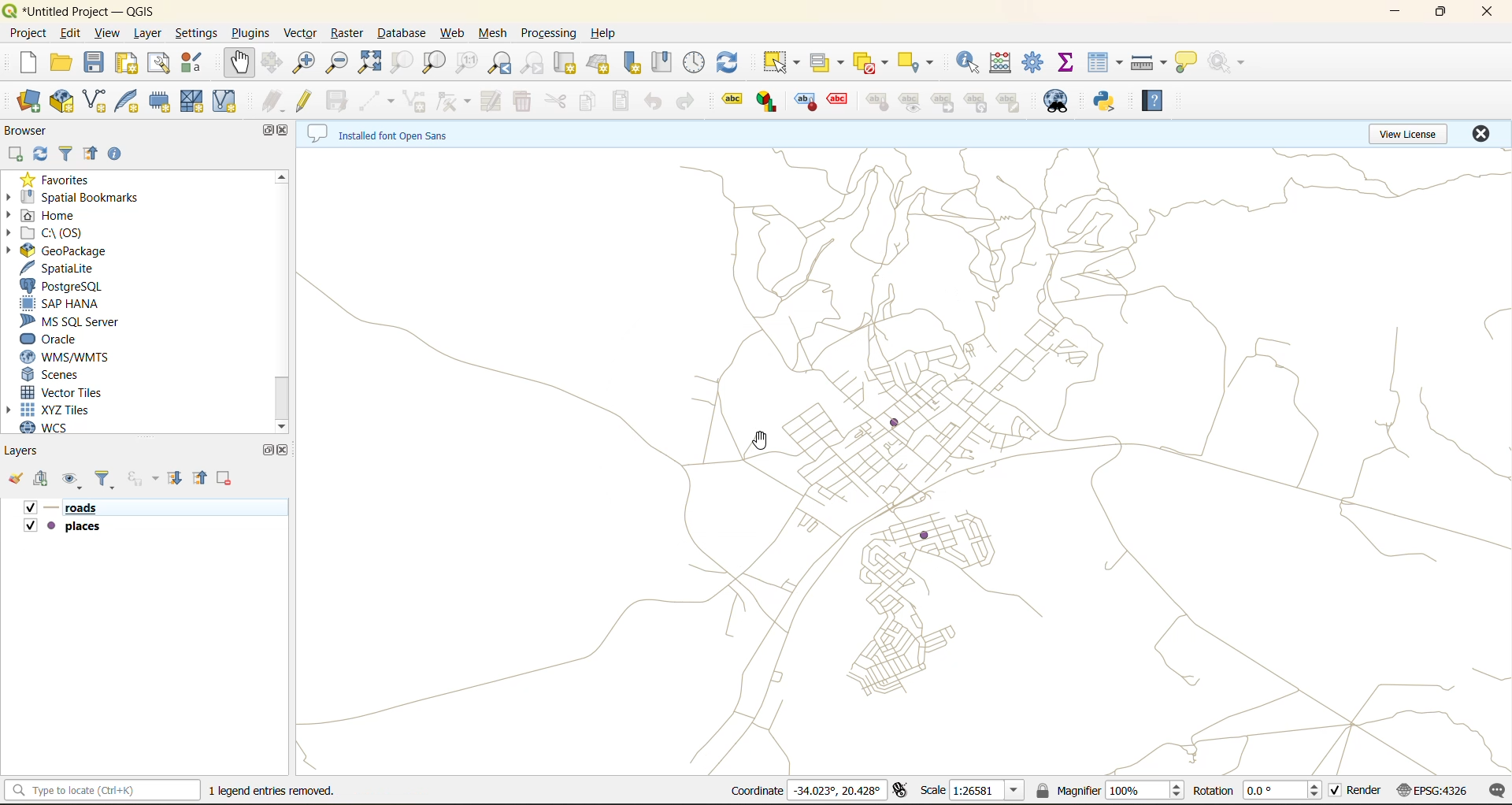 This screenshot has width=1512, height=805. Describe the element at coordinates (1004, 65) in the screenshot. I see `open calculator` at that location.